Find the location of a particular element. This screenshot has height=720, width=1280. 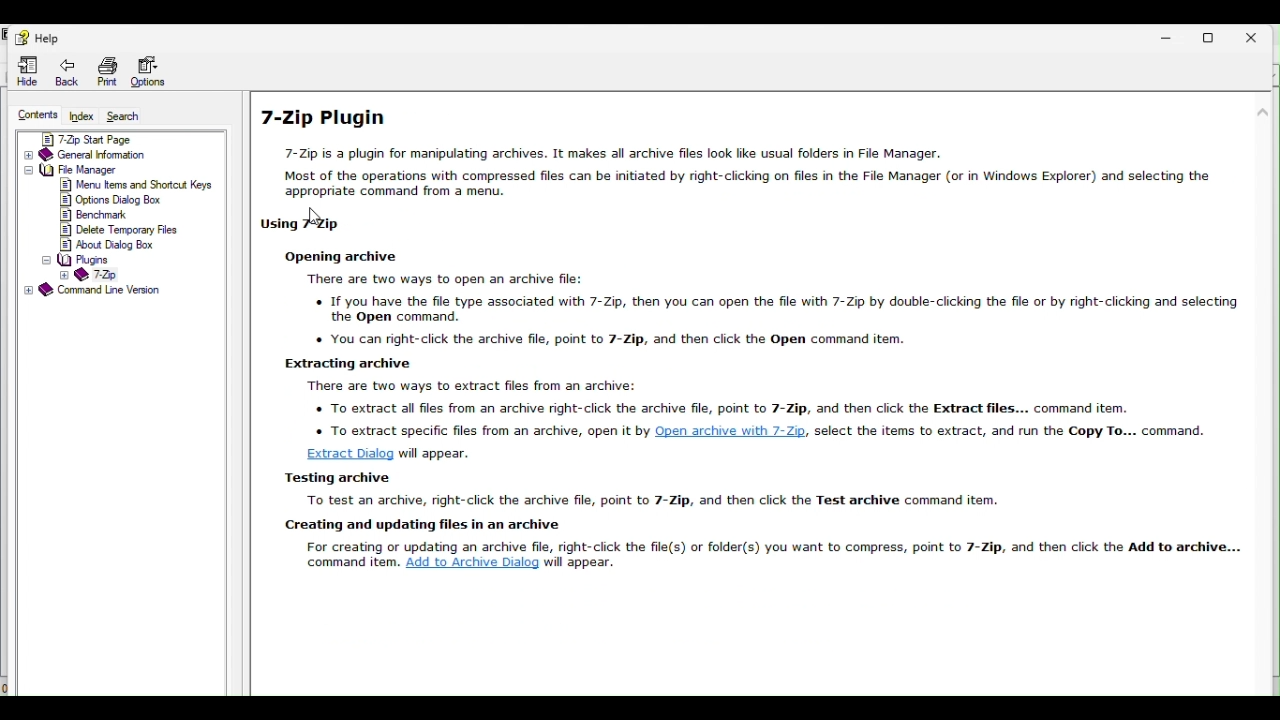

General information is located at coordinates (120, 154).